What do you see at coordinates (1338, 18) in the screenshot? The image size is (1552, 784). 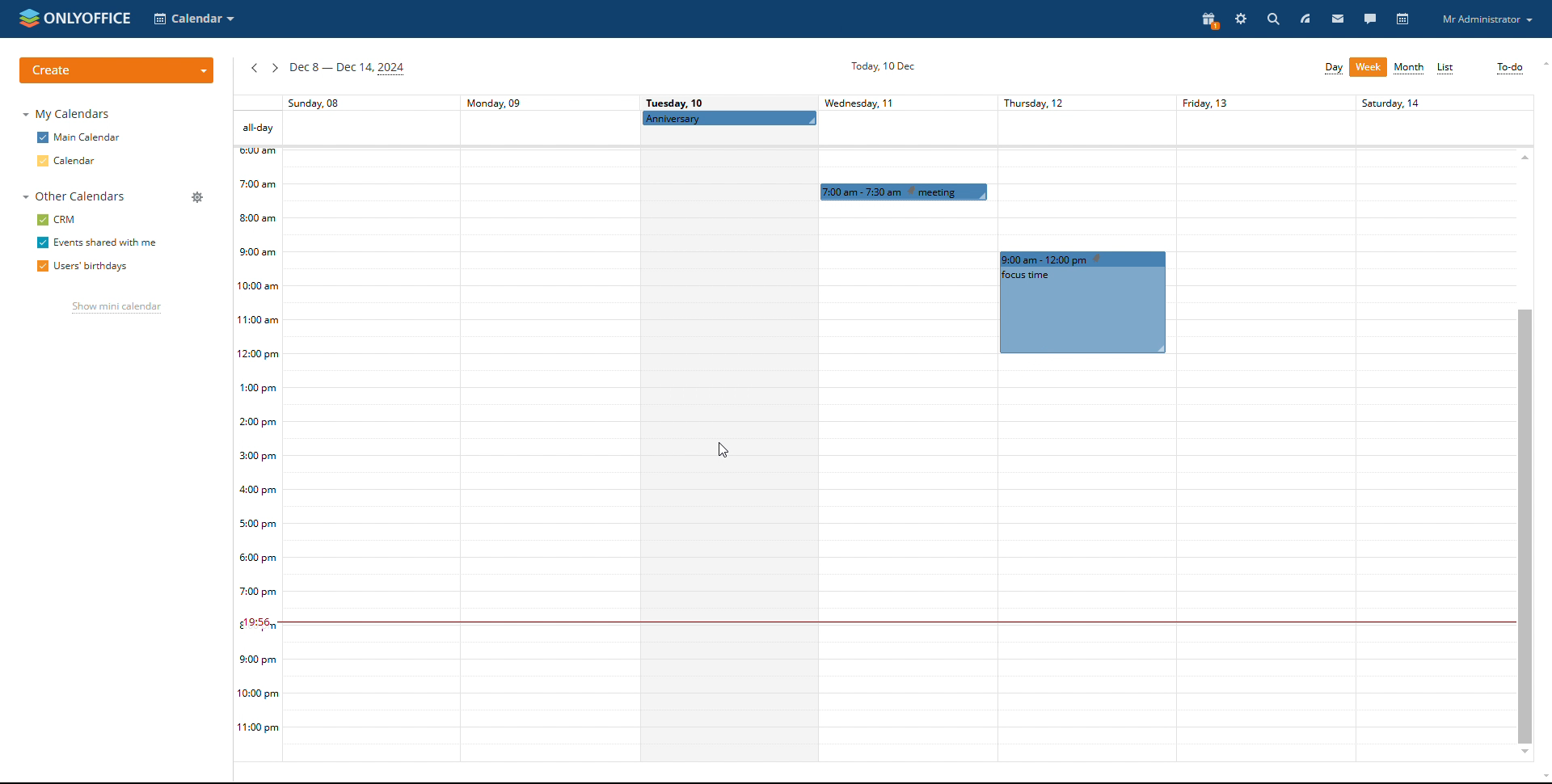 I see `mail` at bounding box center [1338, 18].